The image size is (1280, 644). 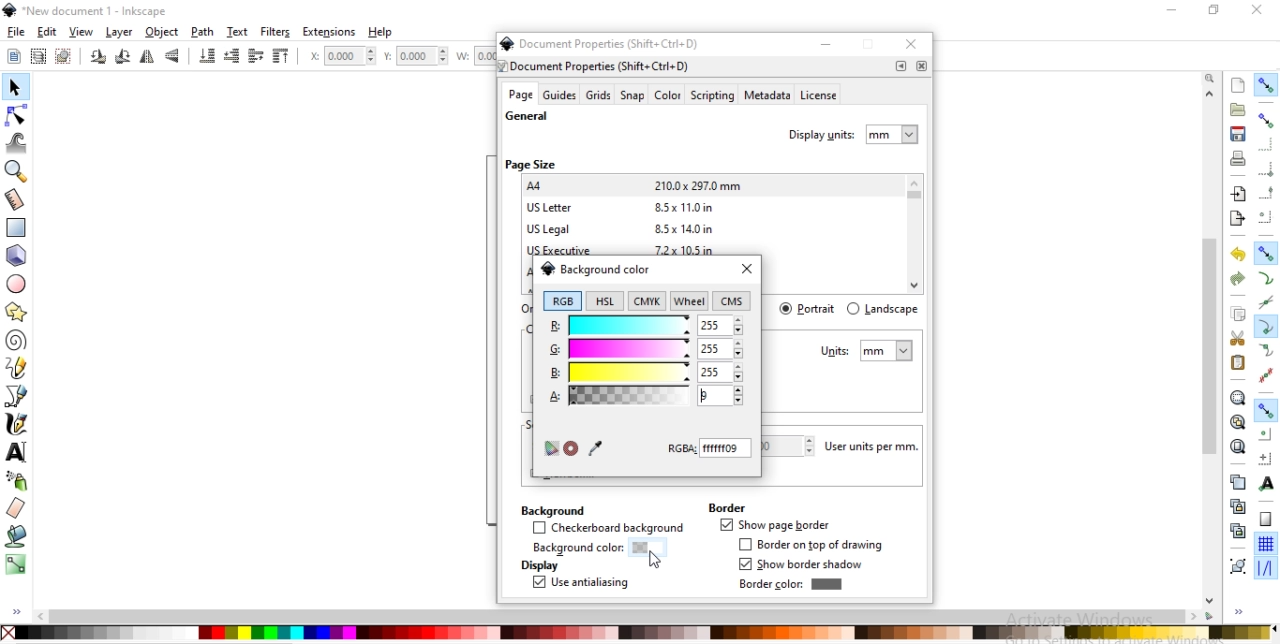 I want to click on measurement tools, so click(x=18, y=200).